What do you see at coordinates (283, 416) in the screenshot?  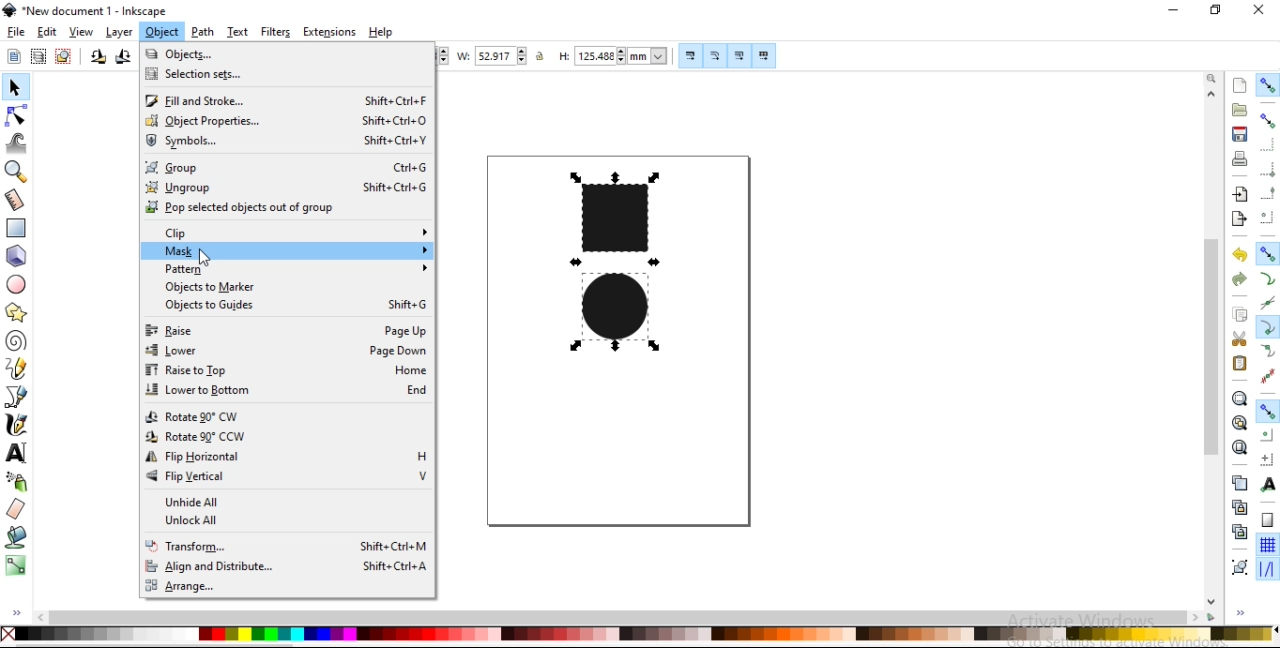 I see `rotate 90 CW` at bounding box center [283, 416].